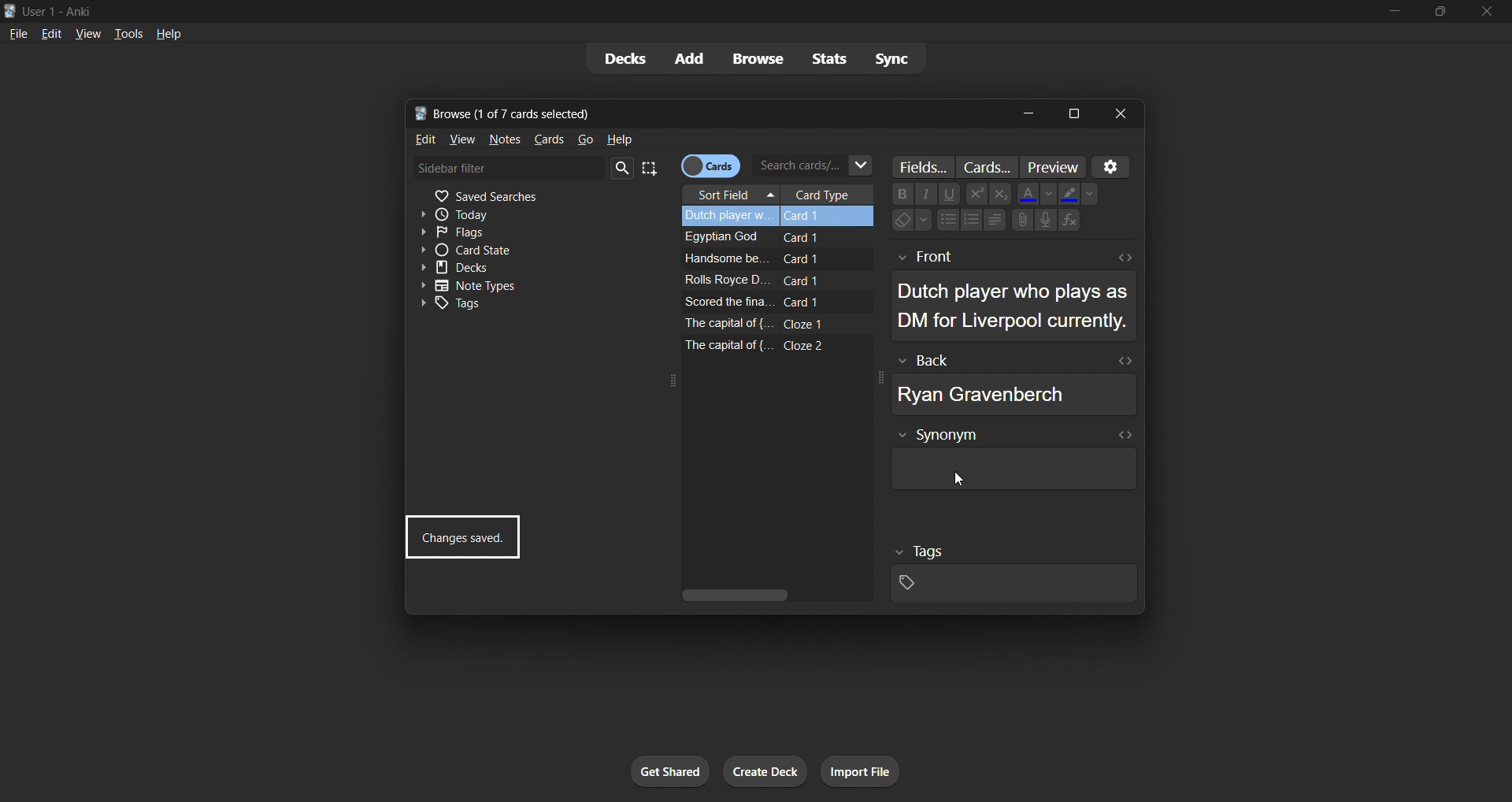 The height and width of the screenshot is (802, 1512). What do you see at coordinates (995, 221) in the screenshot?
I see `Alignments` at bounding box center [995, 221].